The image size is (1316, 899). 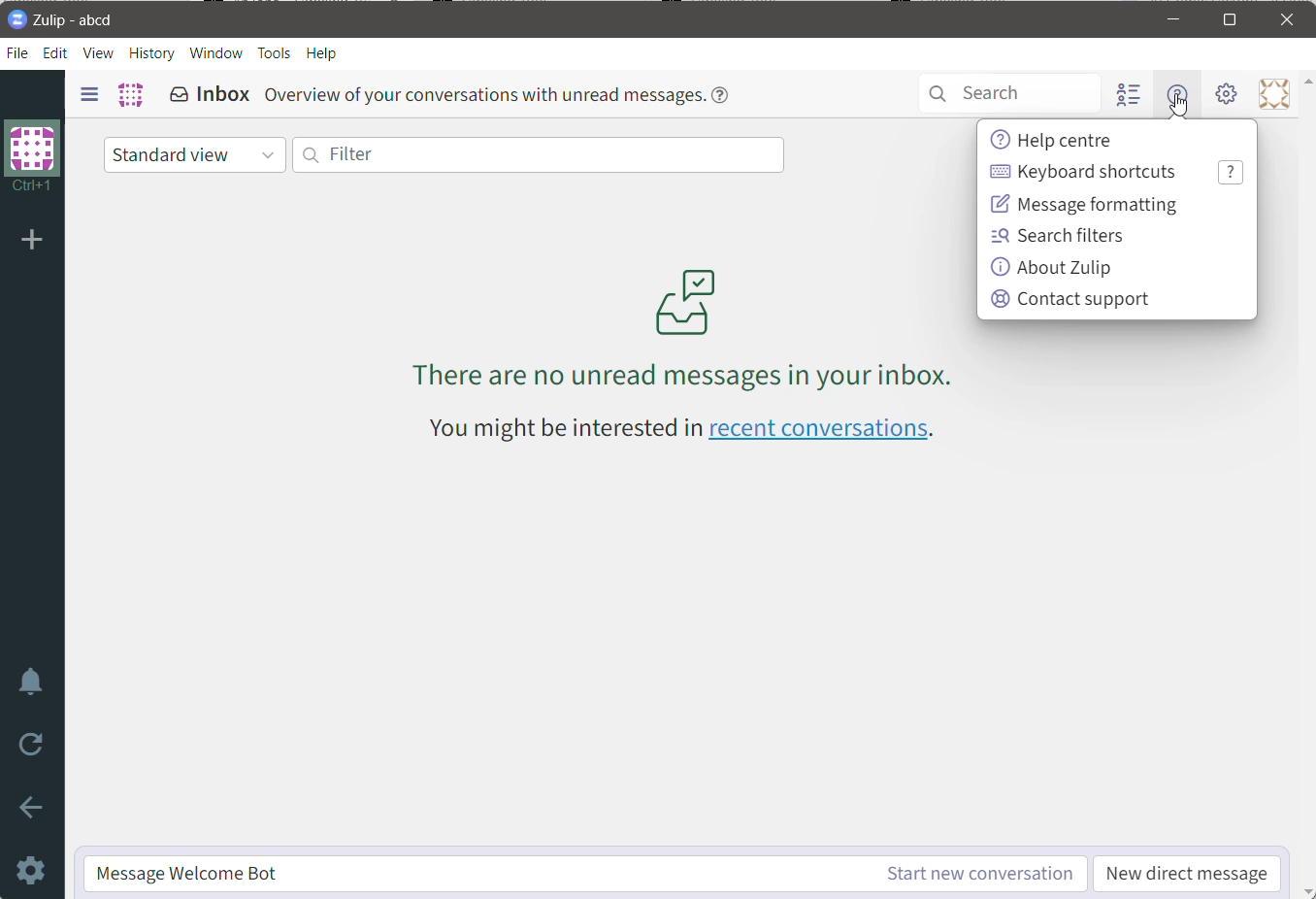 I want to click on Start New Conversation, so click(x=976, y=874).